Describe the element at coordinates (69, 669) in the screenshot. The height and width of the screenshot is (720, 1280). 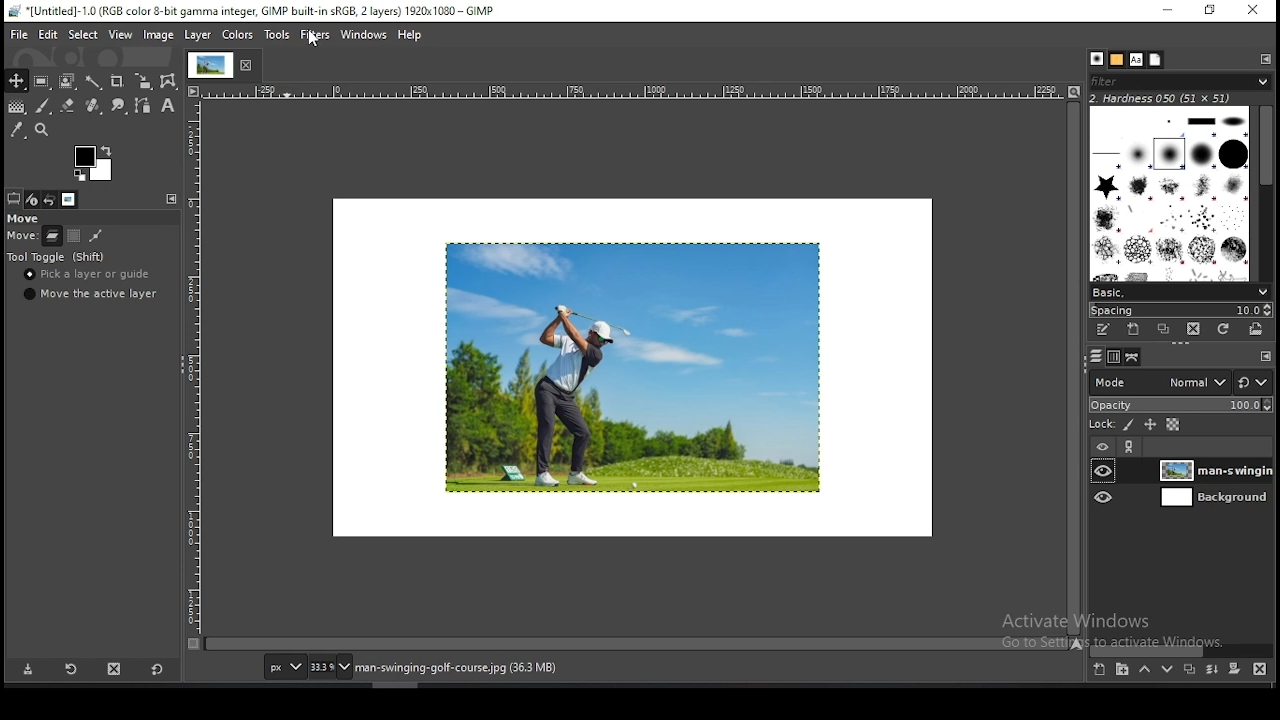
I see `restore tool preset` at that location.